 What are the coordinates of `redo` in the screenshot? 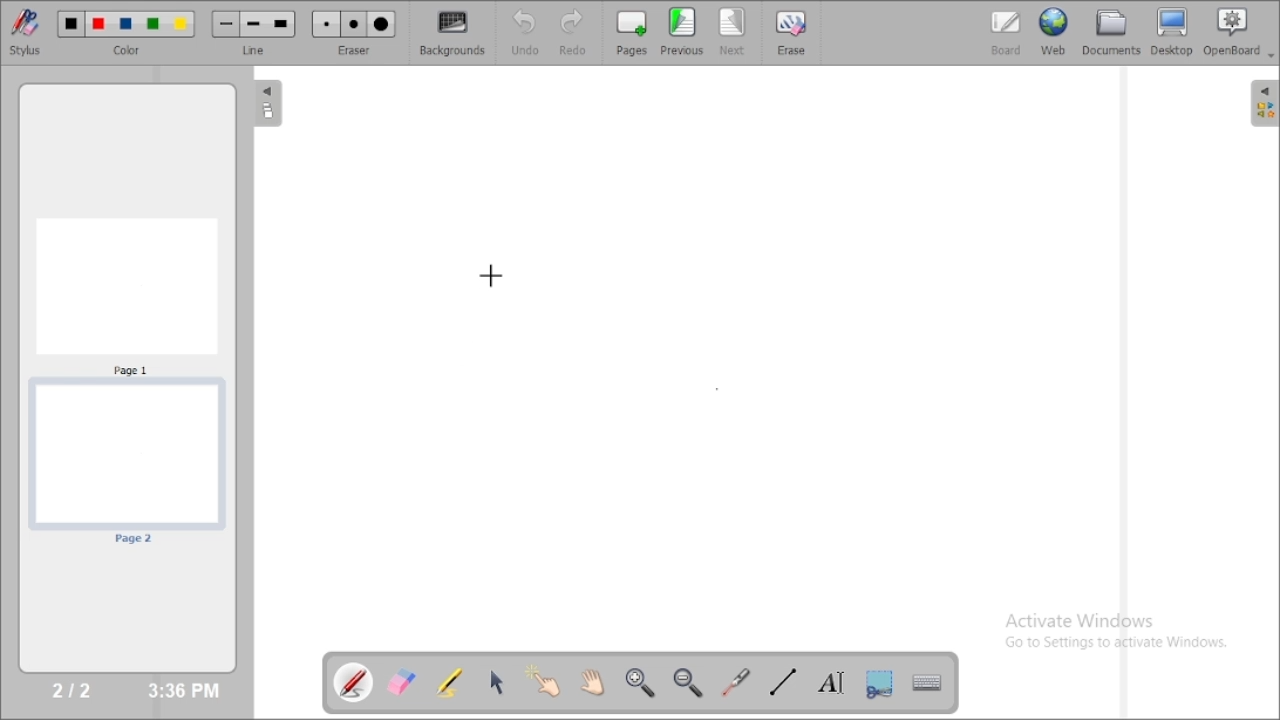 It's located at (578, 32).